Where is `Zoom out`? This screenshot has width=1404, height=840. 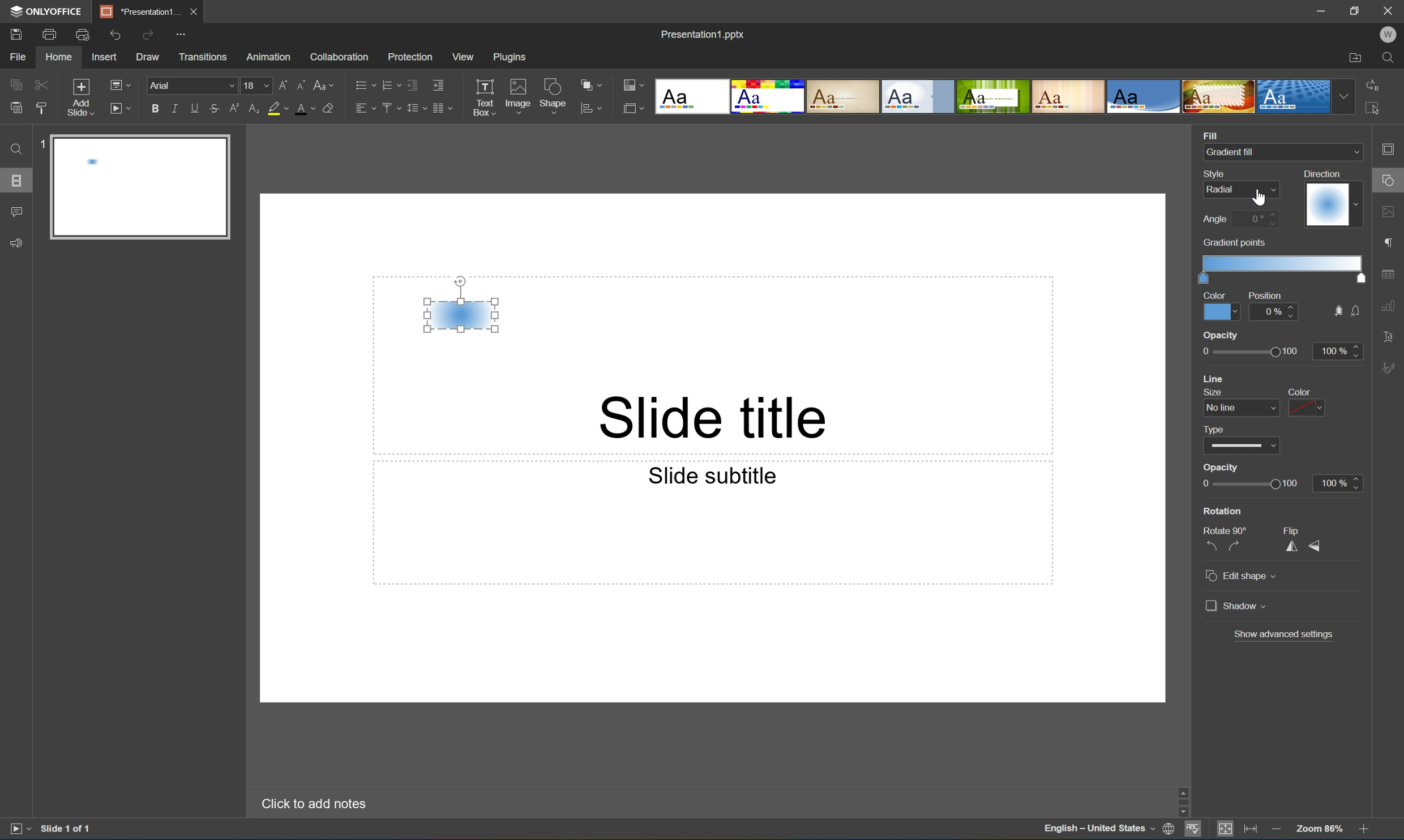 Zoom out is located at coordinates (1275, 829).